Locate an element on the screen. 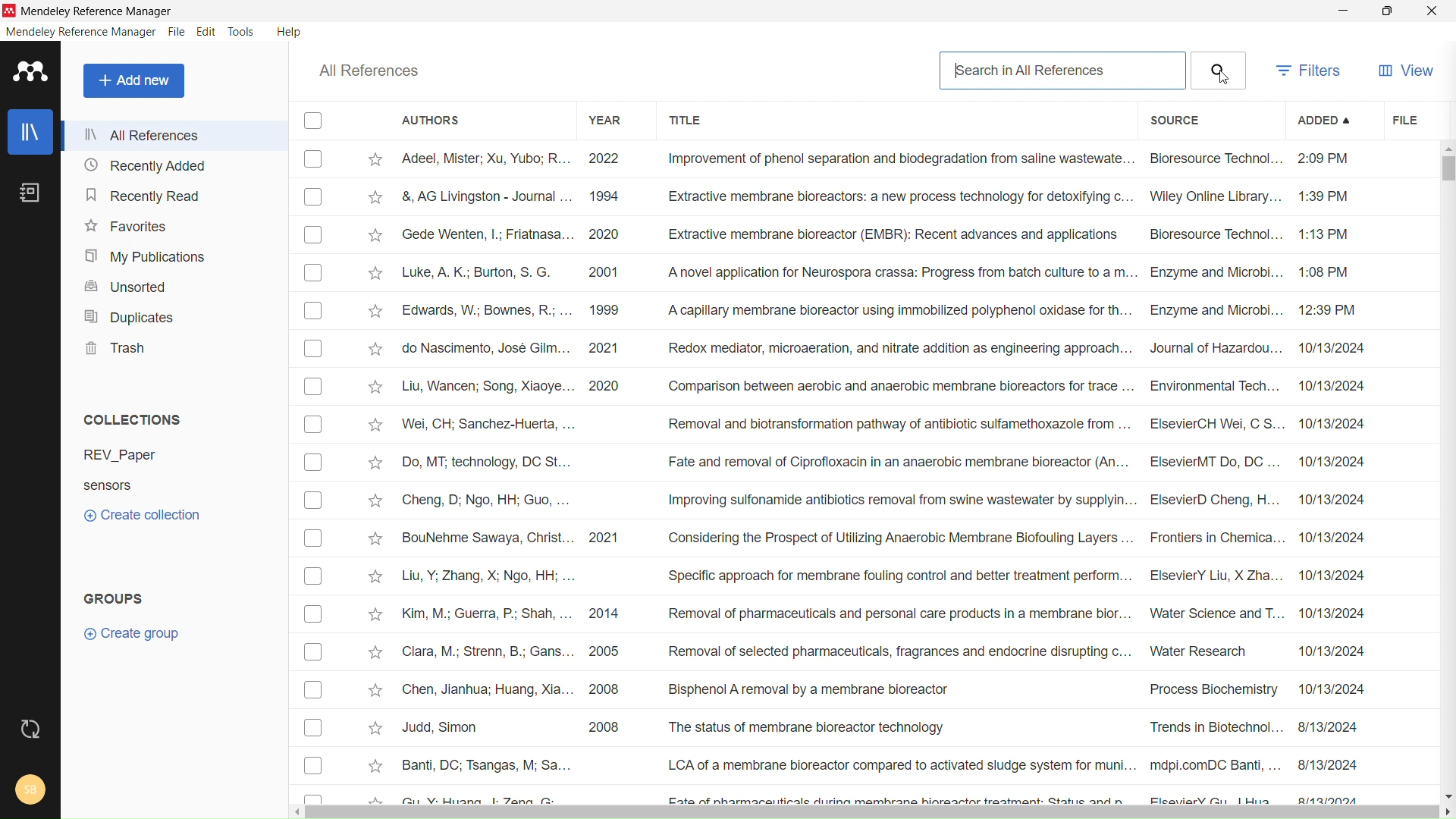  trash is located at coordinates (173, 348).